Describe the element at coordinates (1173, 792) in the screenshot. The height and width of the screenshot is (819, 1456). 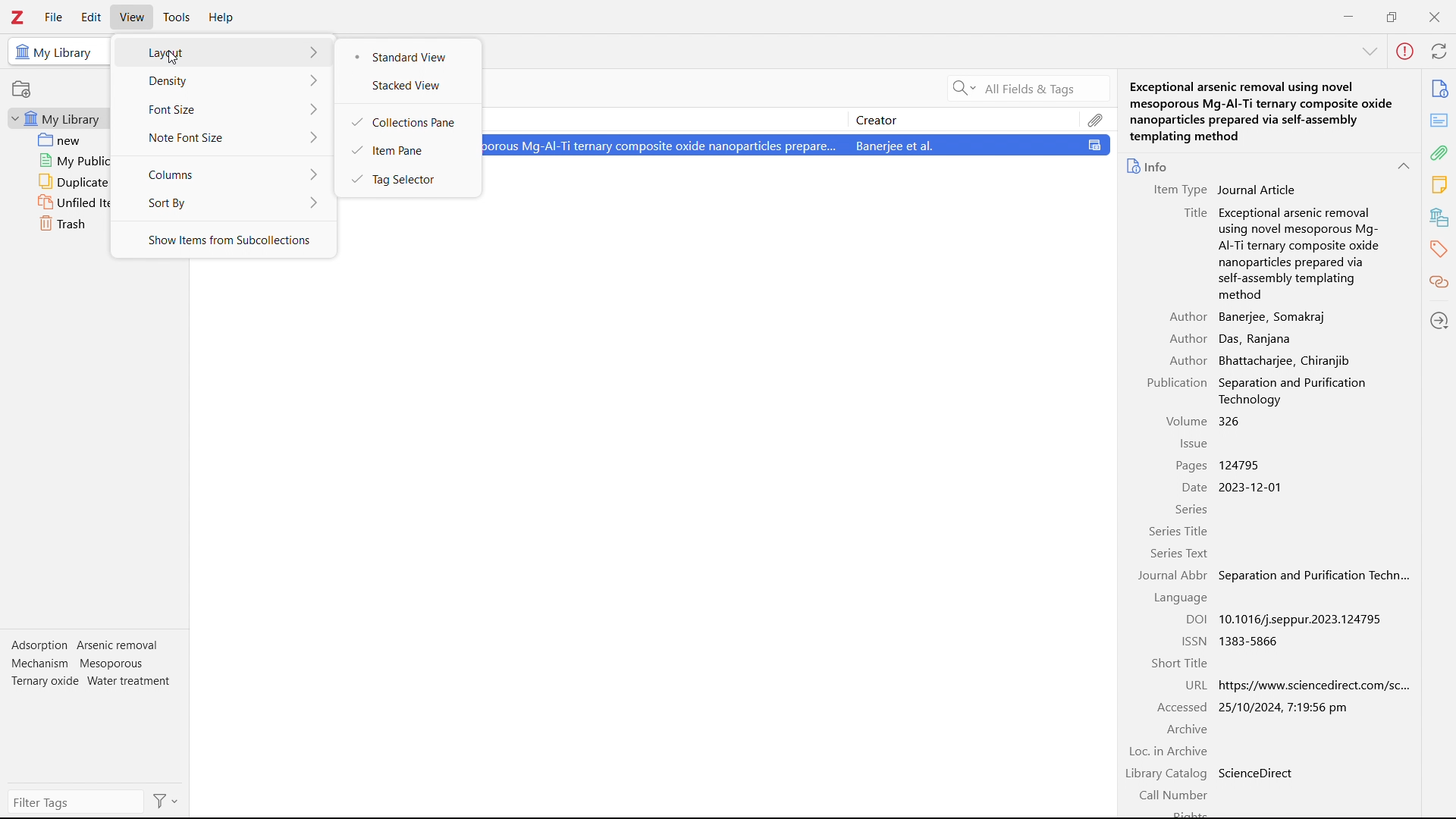
I see `Call Number` at that location.